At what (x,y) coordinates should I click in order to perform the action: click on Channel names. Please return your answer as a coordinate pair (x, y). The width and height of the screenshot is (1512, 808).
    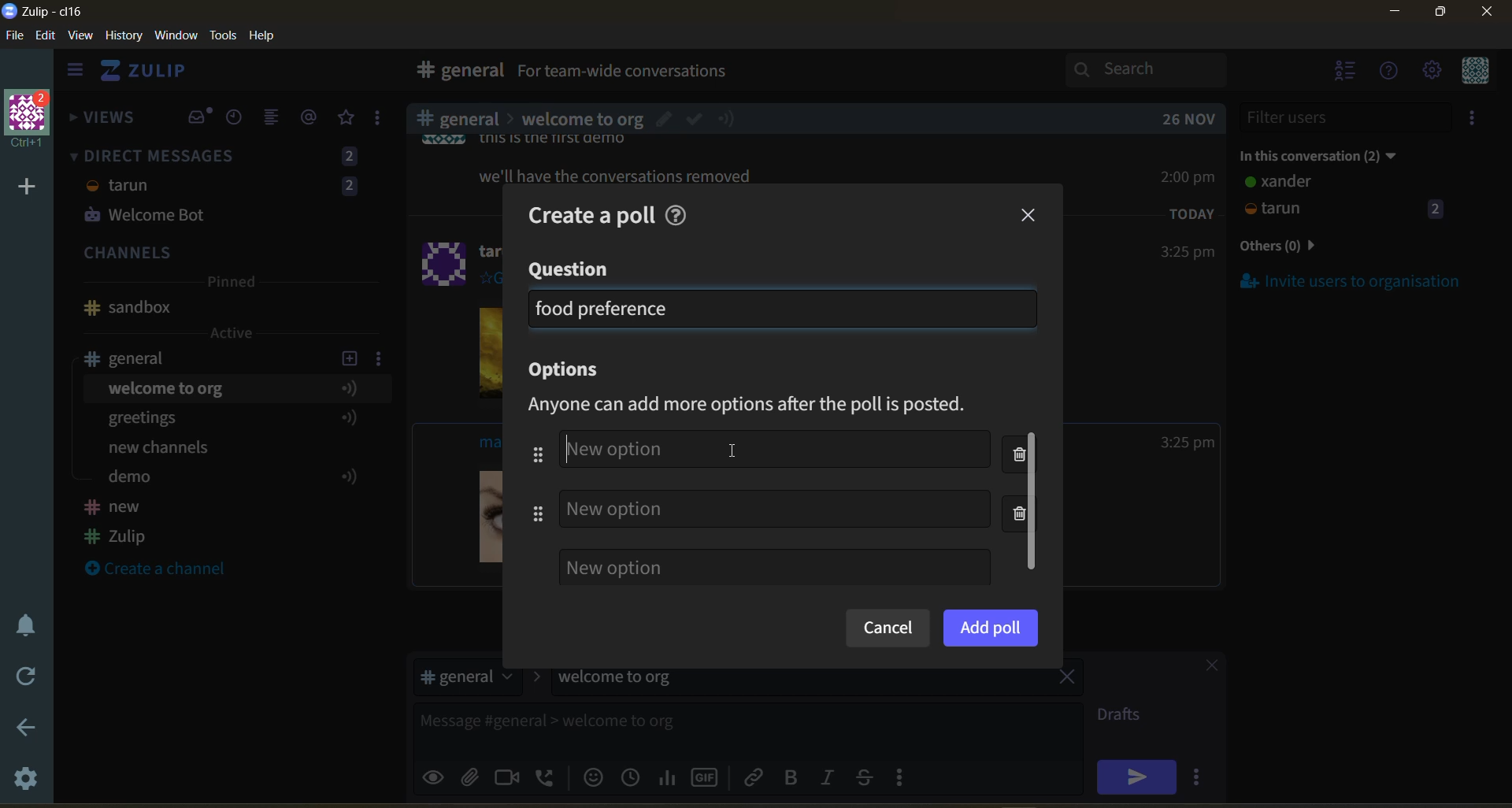
    Looking at the image, I should click on (118, 524).